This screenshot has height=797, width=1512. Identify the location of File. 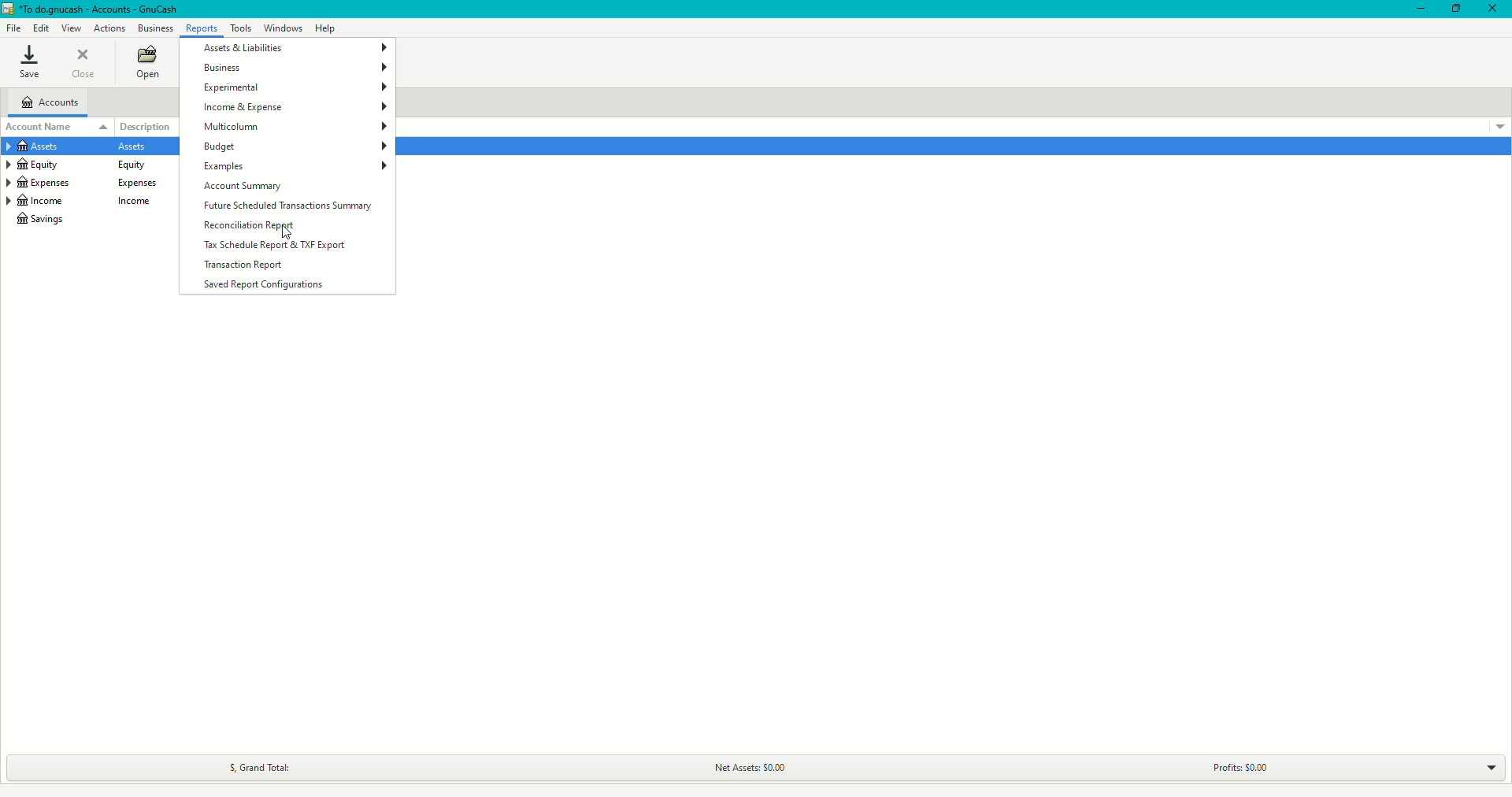
(17, 28).